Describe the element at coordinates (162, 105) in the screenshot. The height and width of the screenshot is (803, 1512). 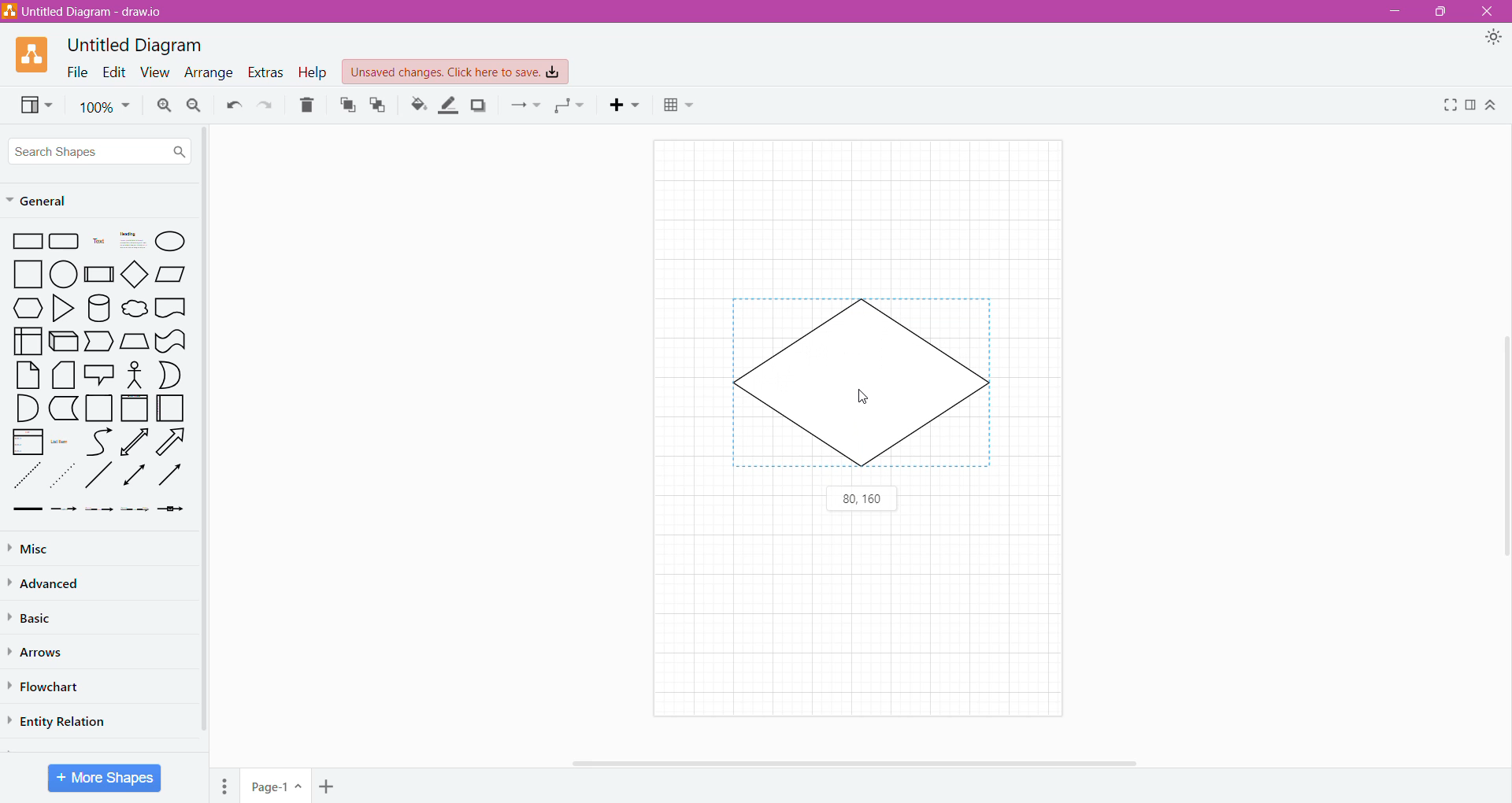
I see `Zoom In` at that location.